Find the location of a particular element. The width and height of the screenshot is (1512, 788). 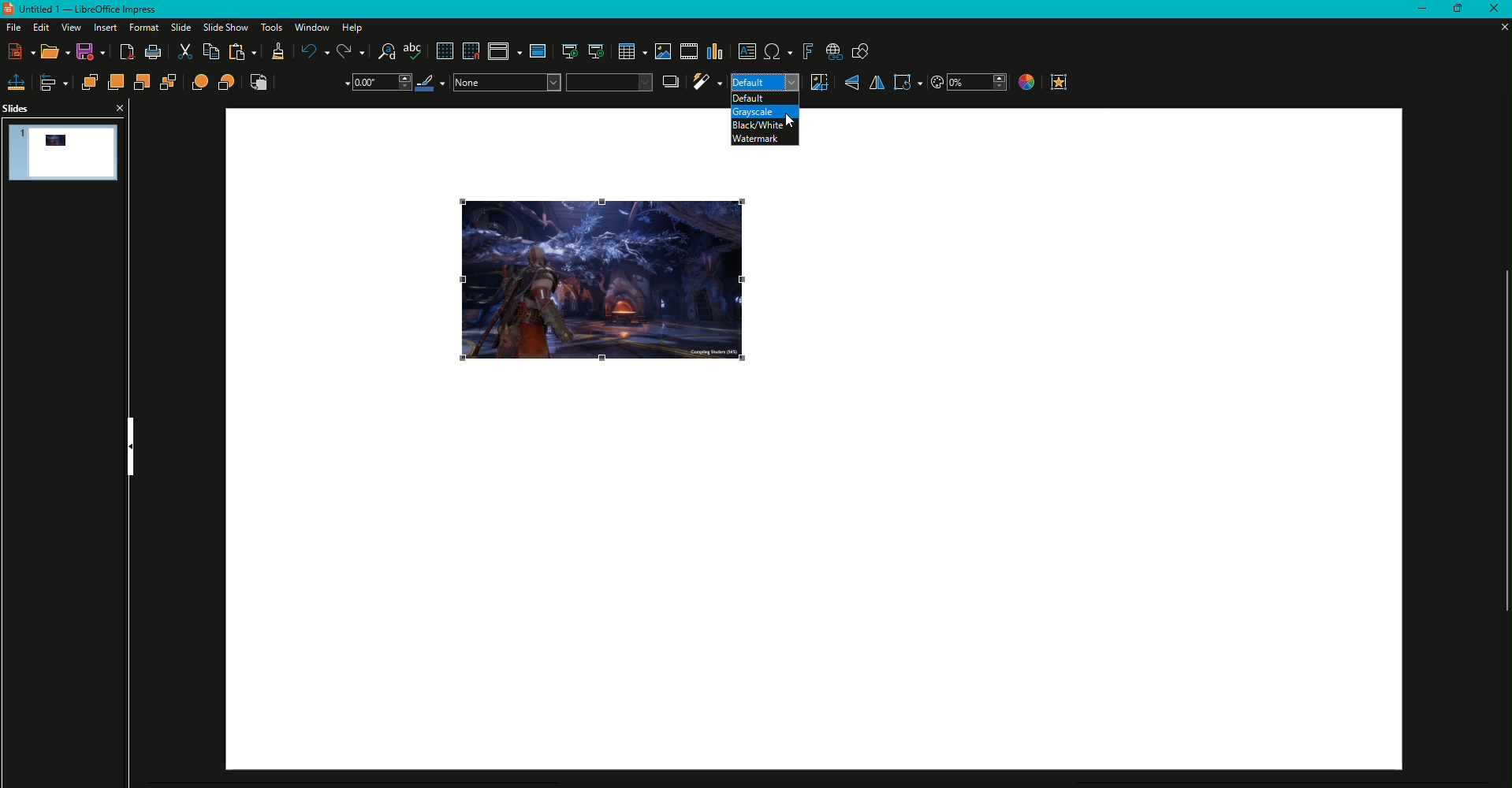

Help is located at coordinates (356, 28).